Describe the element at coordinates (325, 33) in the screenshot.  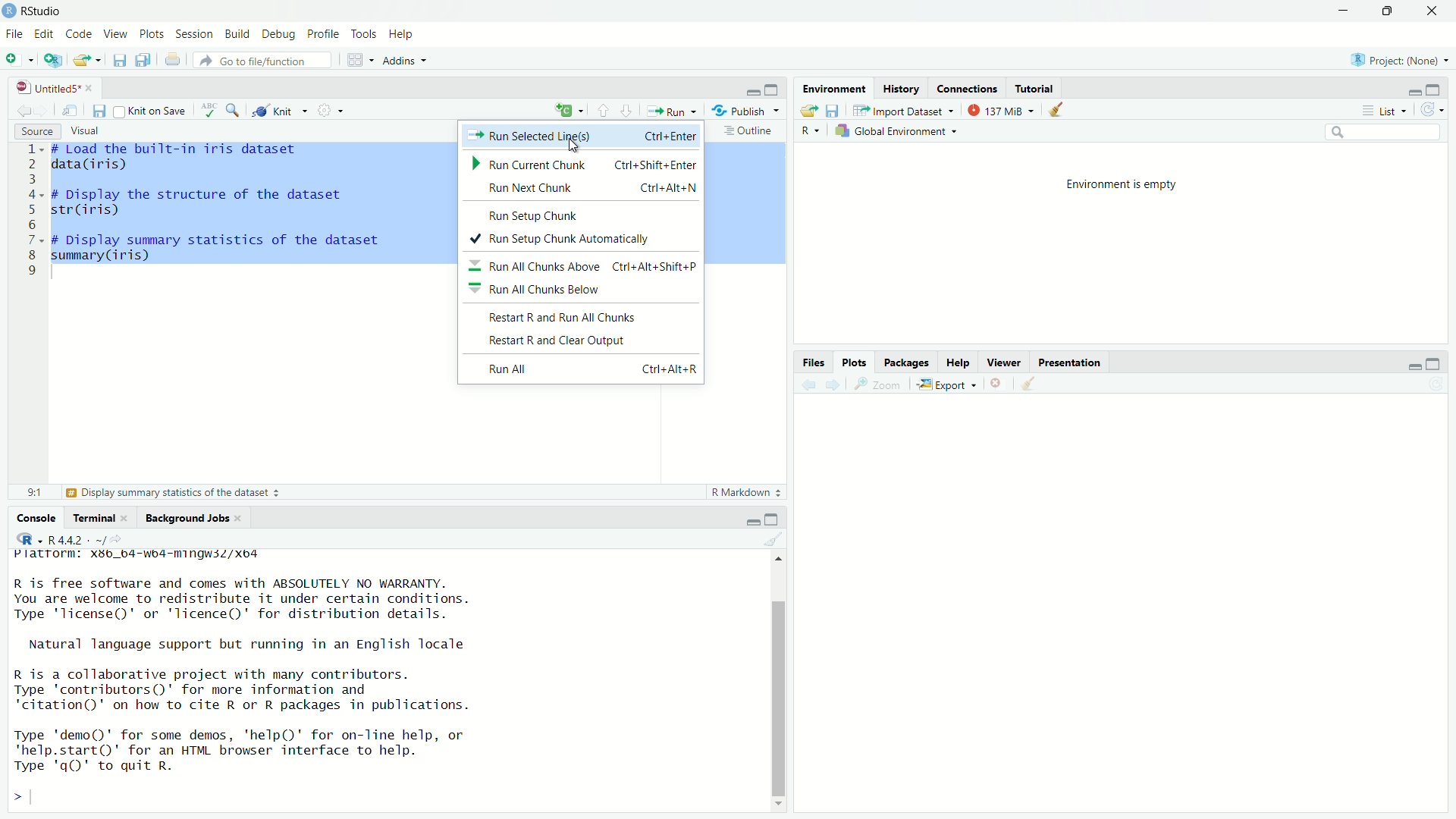
I see `Profile` at that location.